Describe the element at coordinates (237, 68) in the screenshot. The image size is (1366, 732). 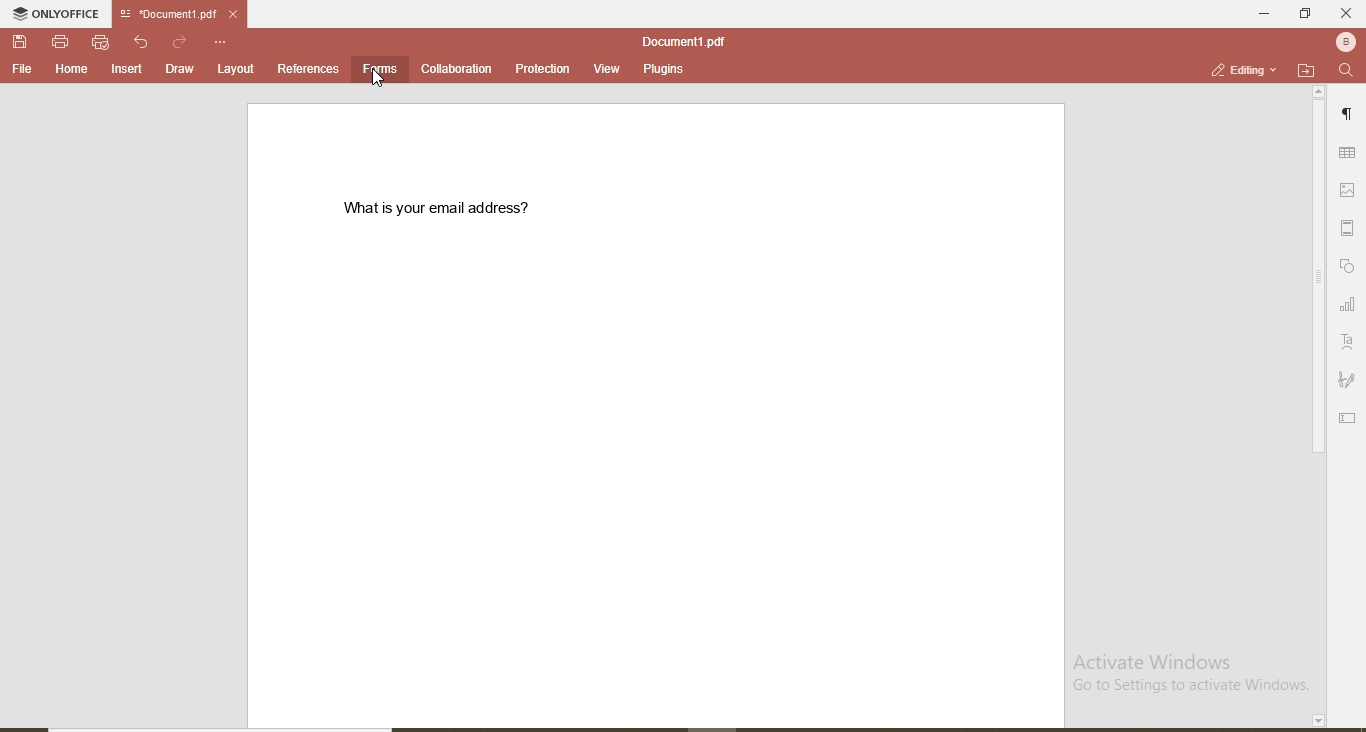
I see `layout` at that location.